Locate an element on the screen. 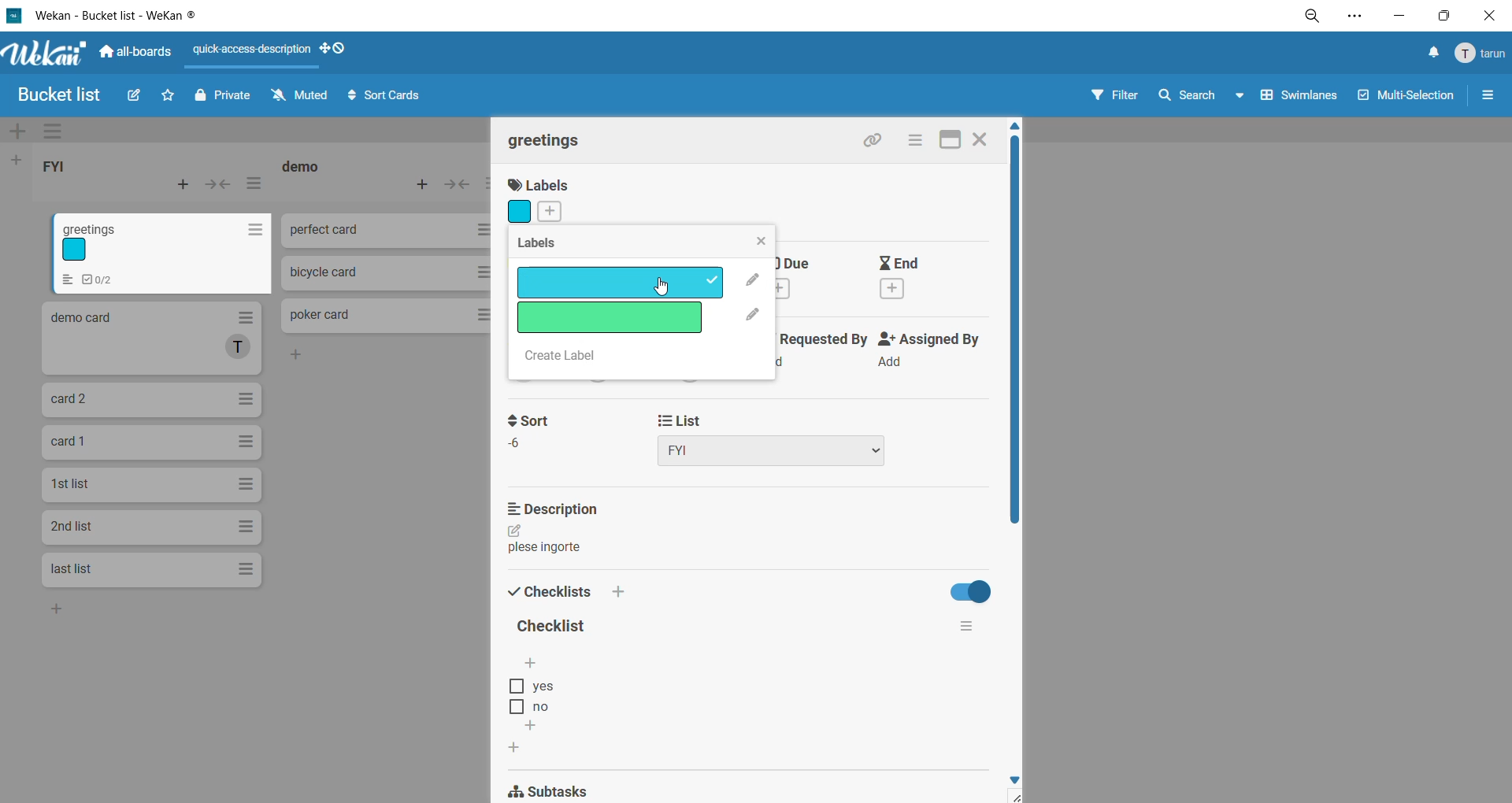 Image resolution: width=1512 pixels, height=803 pixels. zoom is located at coordinates (1311, 17).